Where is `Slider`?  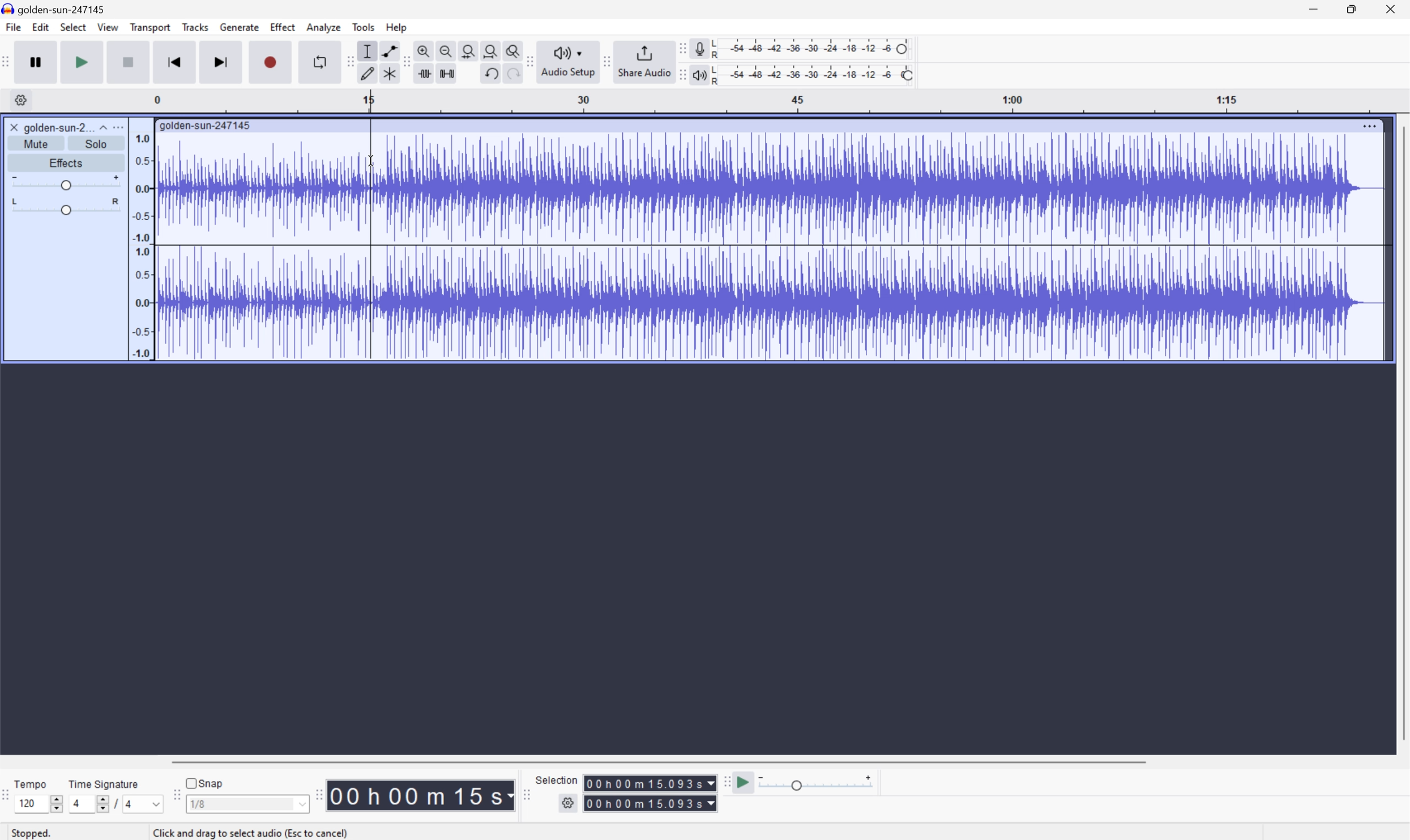
Slider is located at coordinates (65, 208).